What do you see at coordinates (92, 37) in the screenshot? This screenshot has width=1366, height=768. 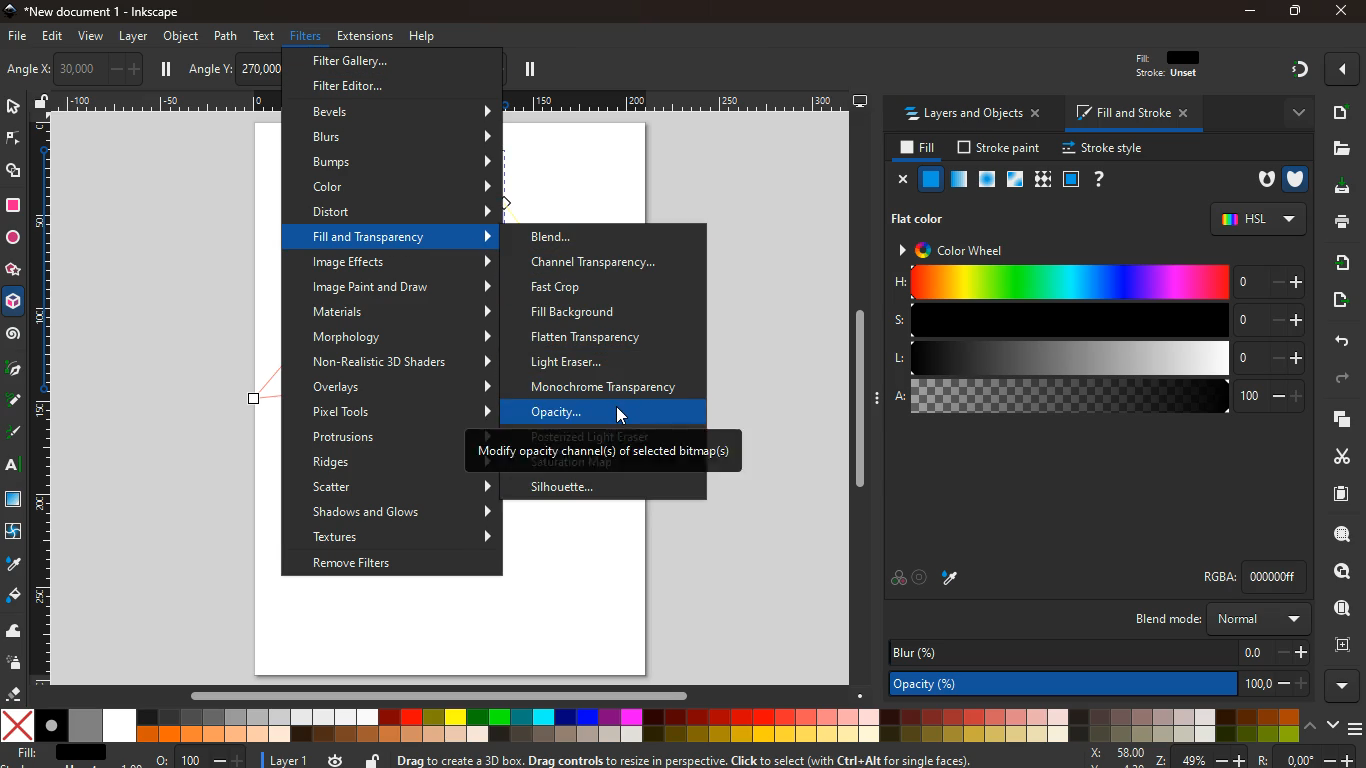 I see `view` at bounding box center [92, 37].